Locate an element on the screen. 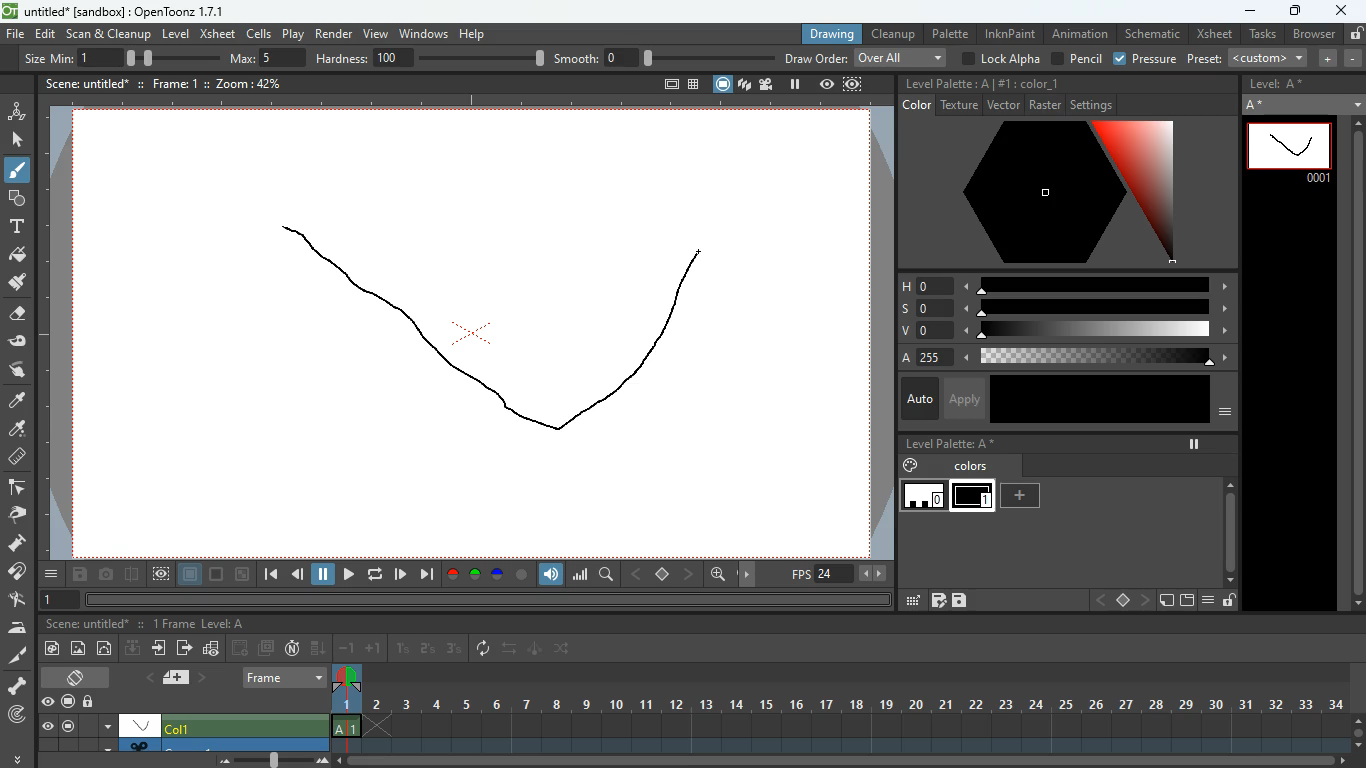 This screenshot has height=768, width=1366. middle is located at coordinates (1124, 600).